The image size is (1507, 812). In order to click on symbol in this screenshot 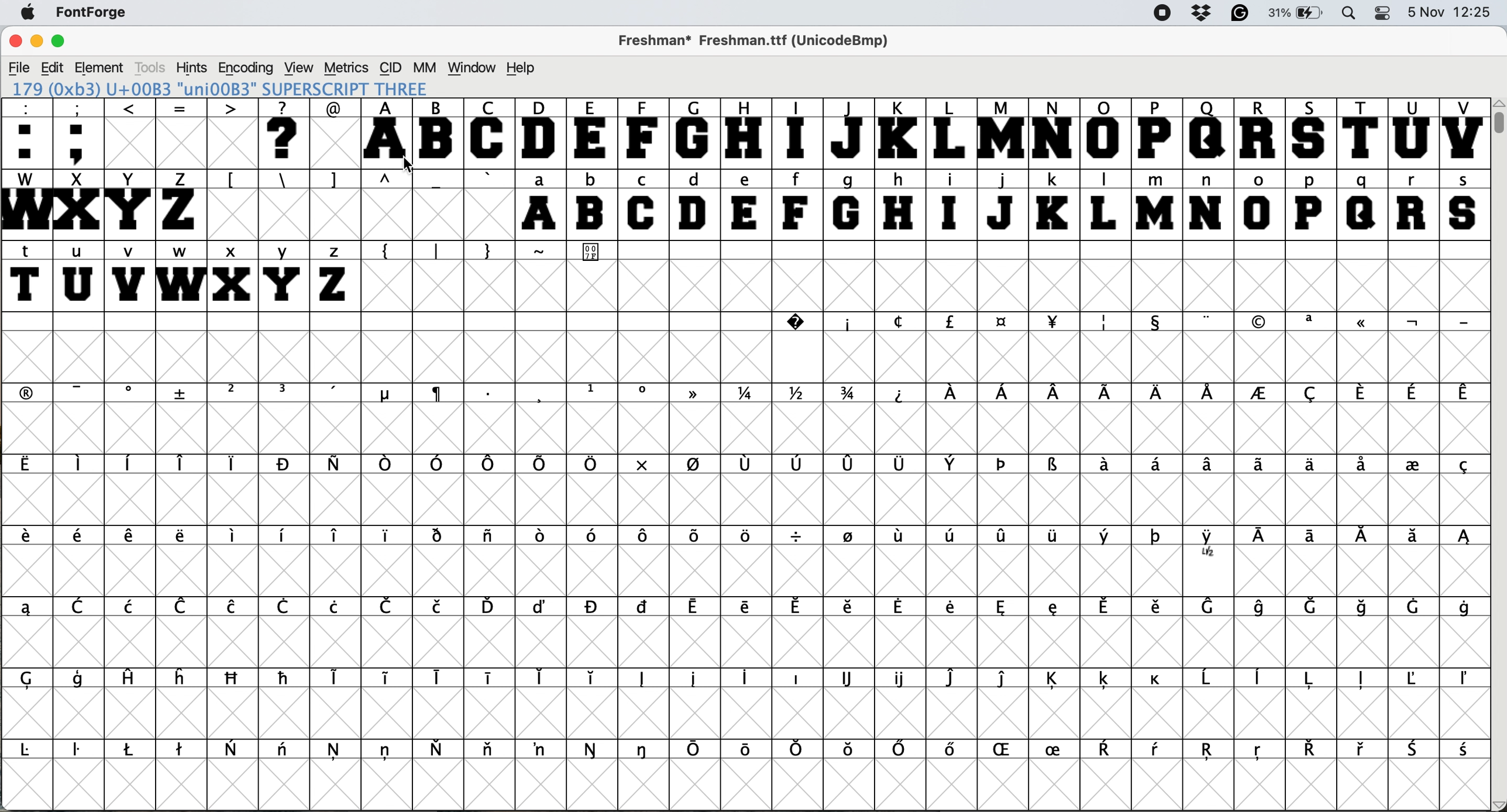, I will do `click(1466, 680)`.